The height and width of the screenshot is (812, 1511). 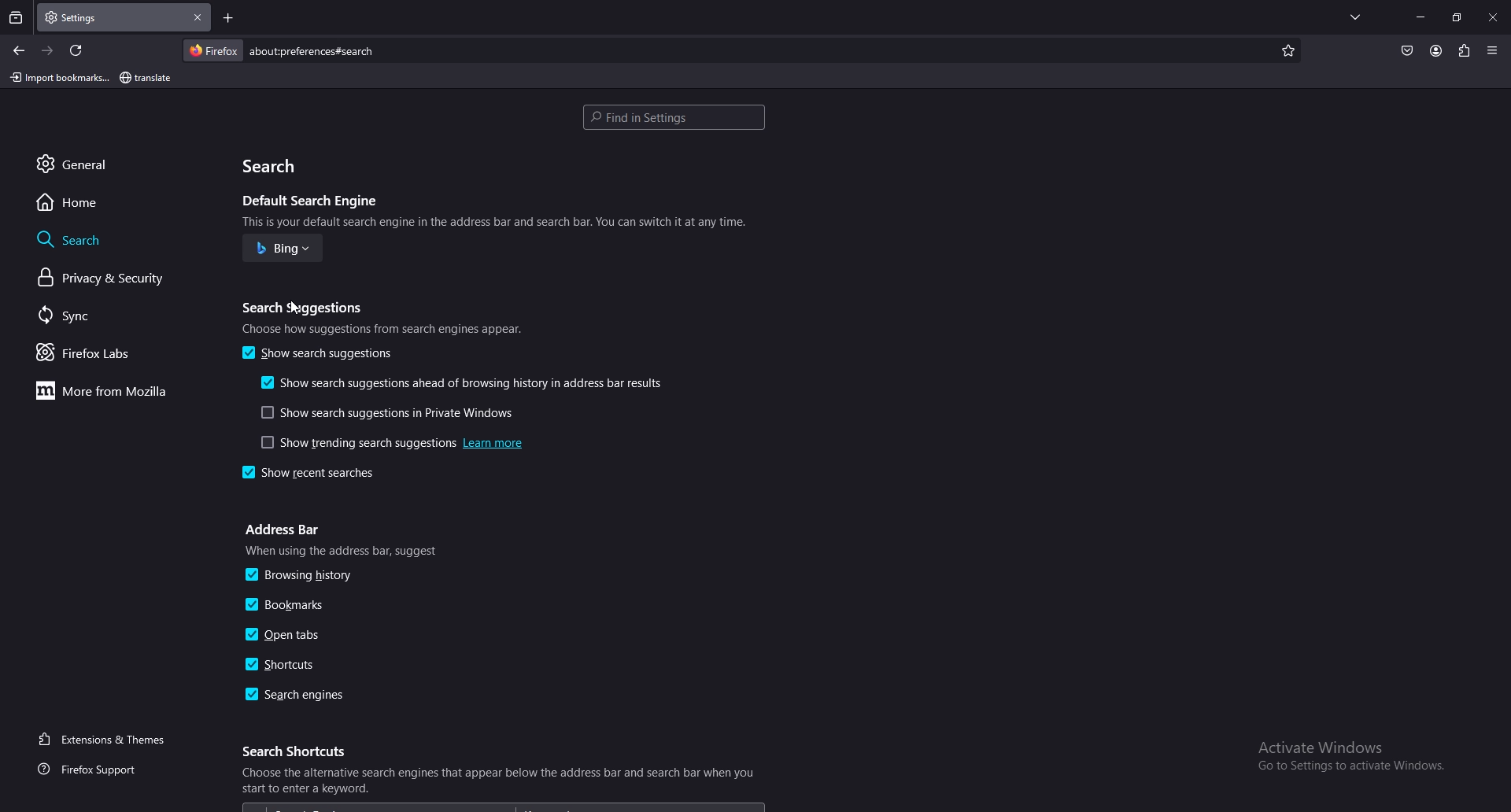 I want to click on , so click(x=305, y=306).